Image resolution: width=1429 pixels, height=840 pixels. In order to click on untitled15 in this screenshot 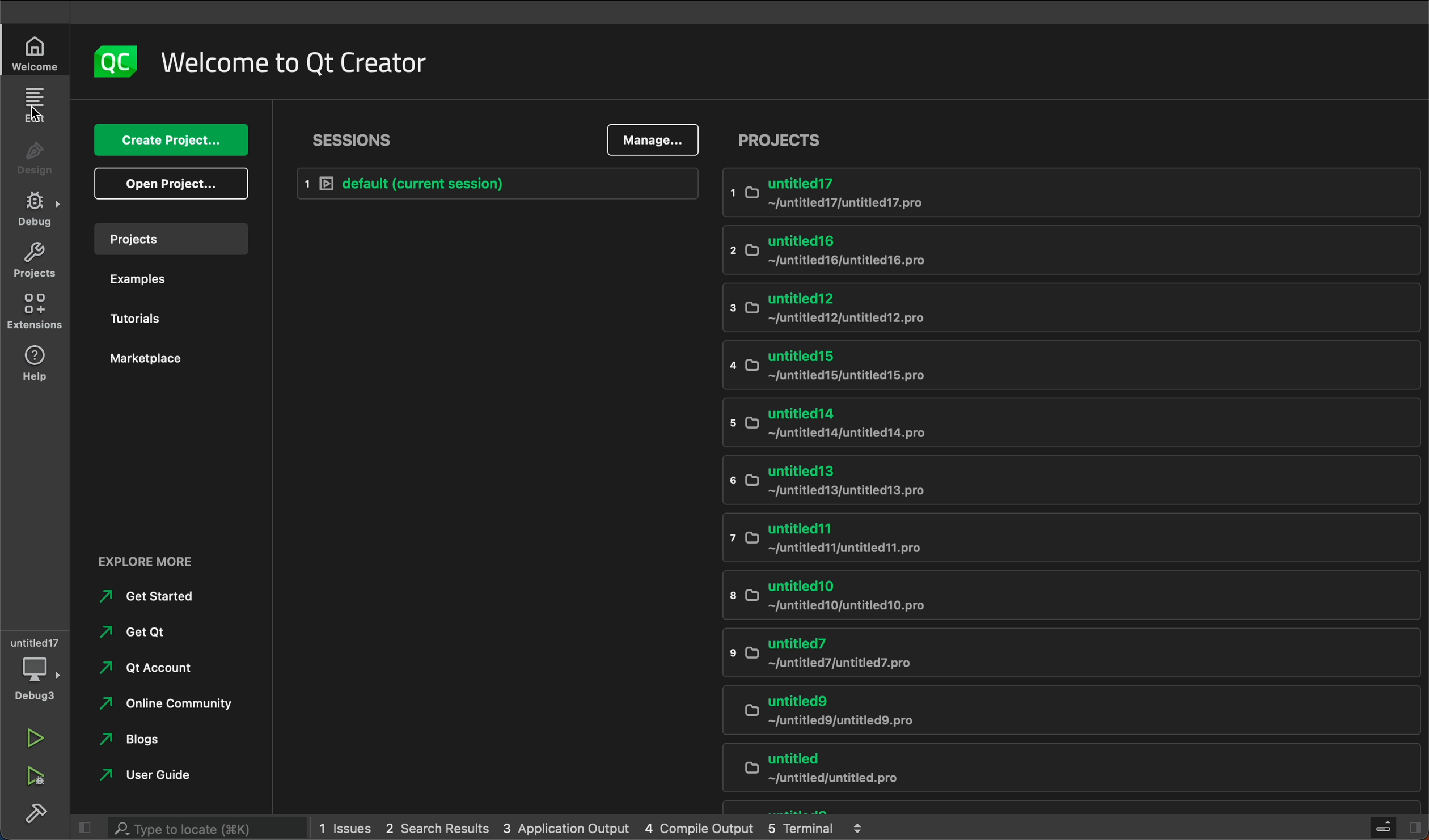, I will do `click(1051, 363)`.